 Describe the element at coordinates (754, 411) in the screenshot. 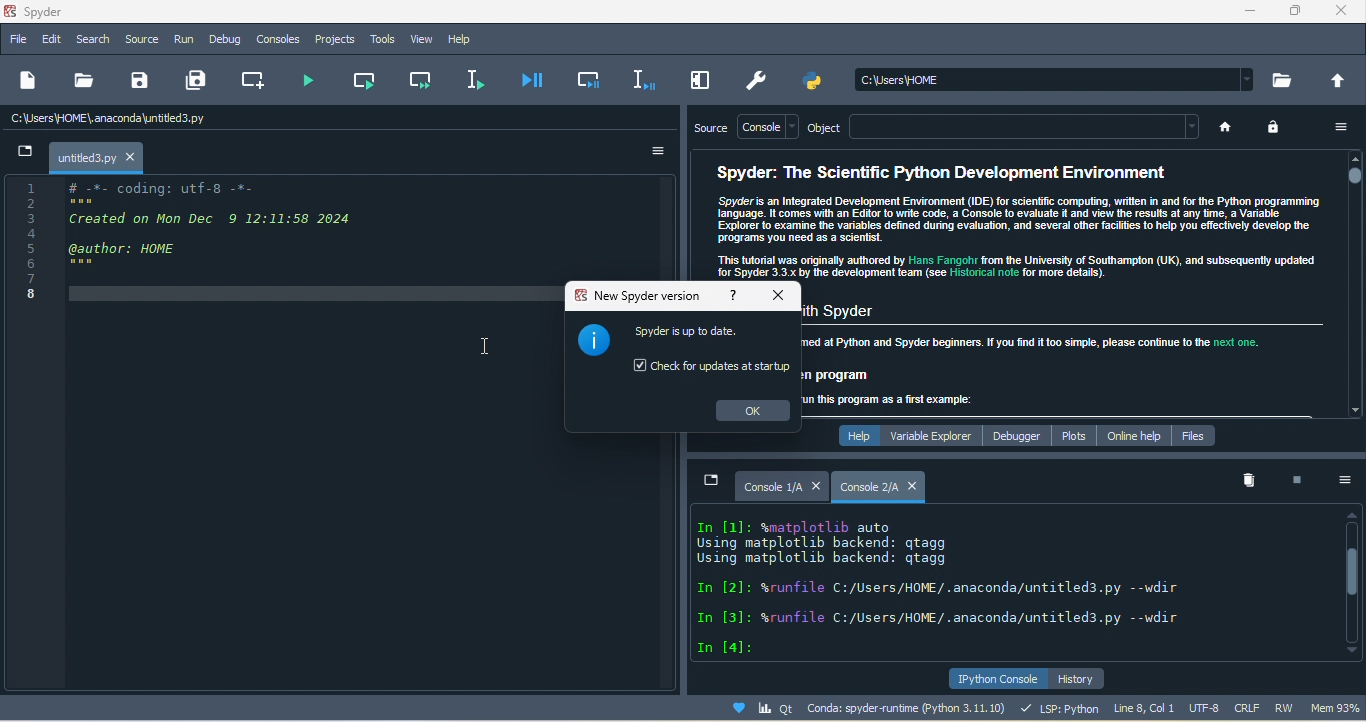

I see `ok` at that location.